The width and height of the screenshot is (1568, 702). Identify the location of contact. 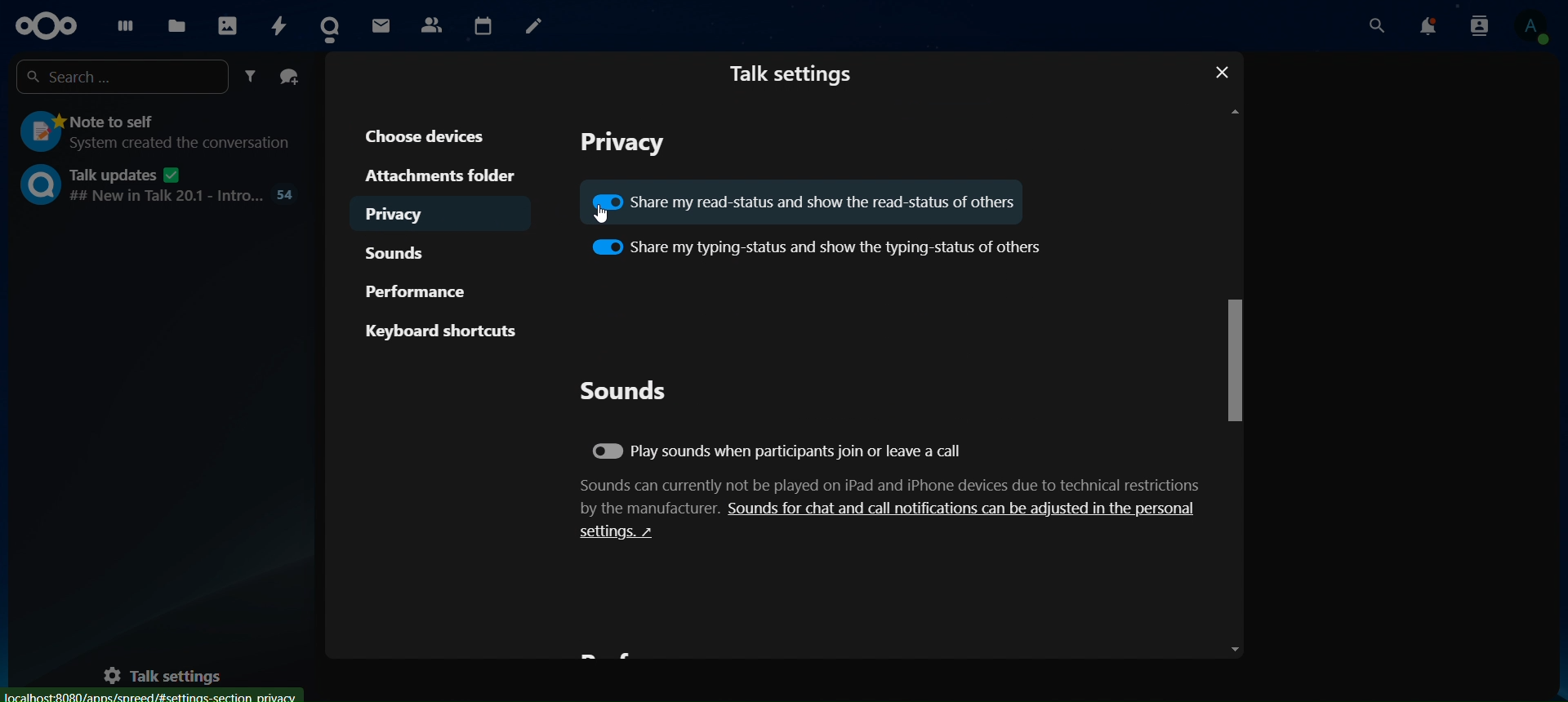
(334, 26).